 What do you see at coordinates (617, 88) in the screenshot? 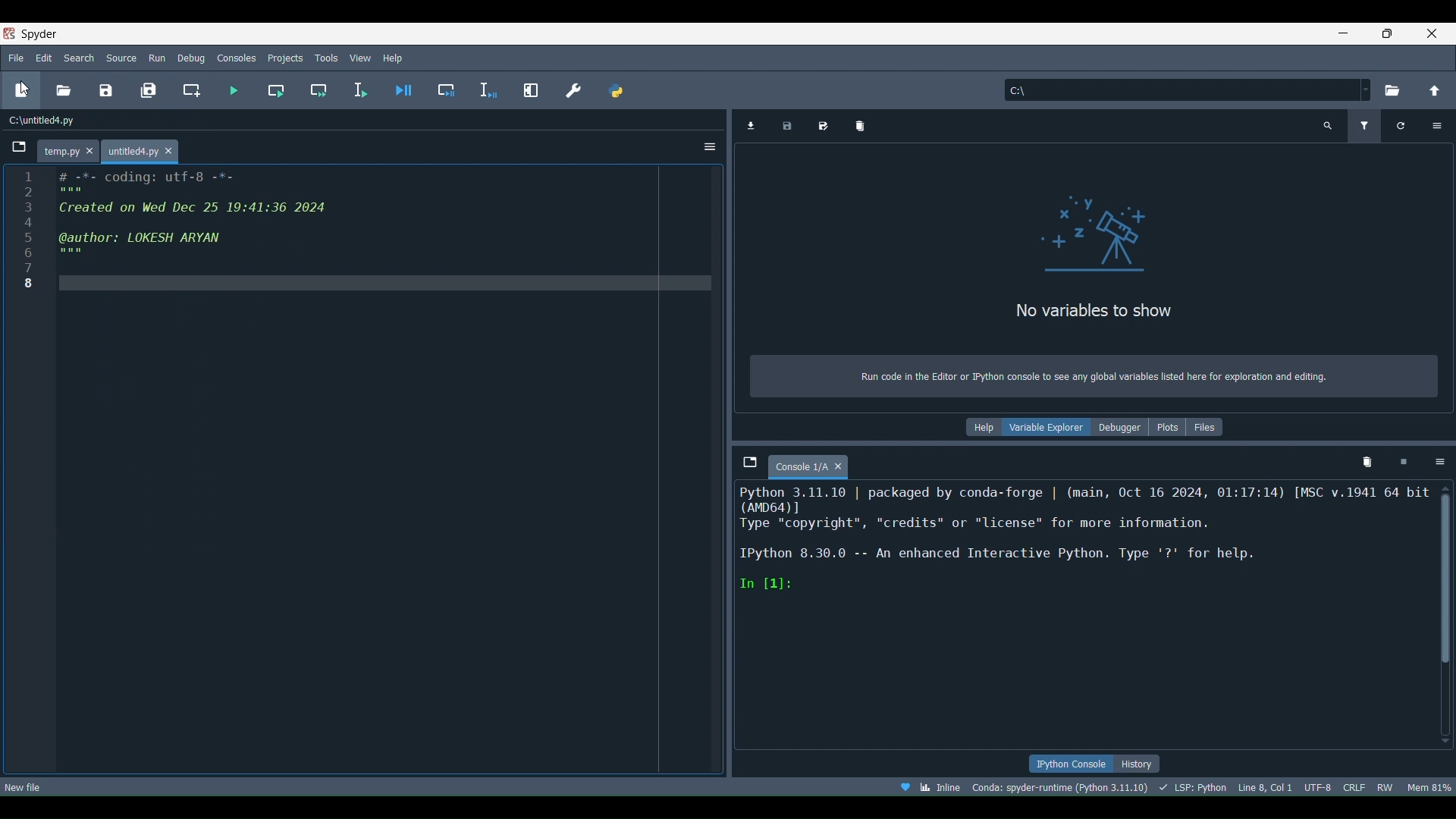
I see `PYTHONPATH manager` at bounding box center [617, 88].